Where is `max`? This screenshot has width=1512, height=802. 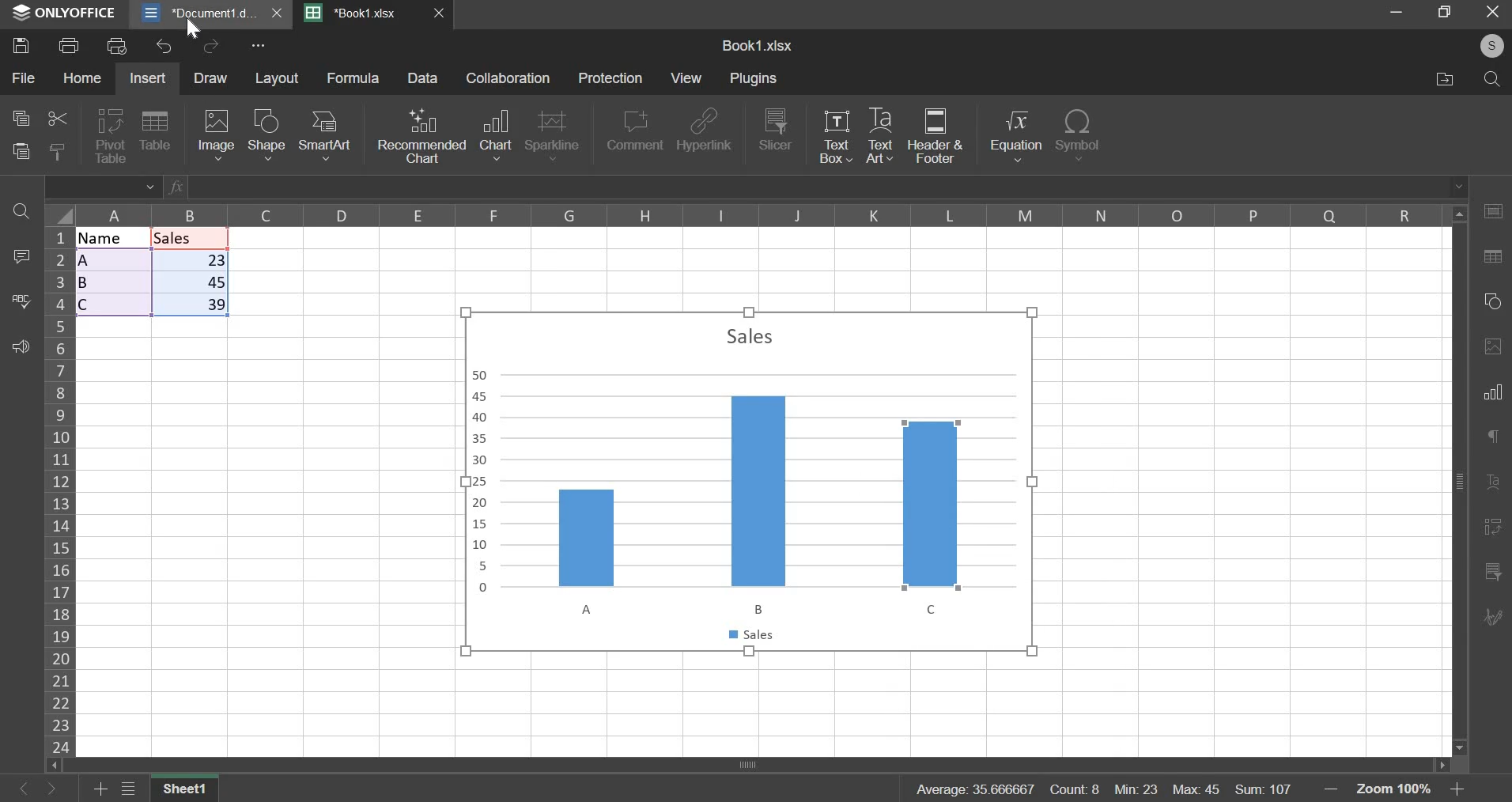 max is located at coordinates (1196, 786).